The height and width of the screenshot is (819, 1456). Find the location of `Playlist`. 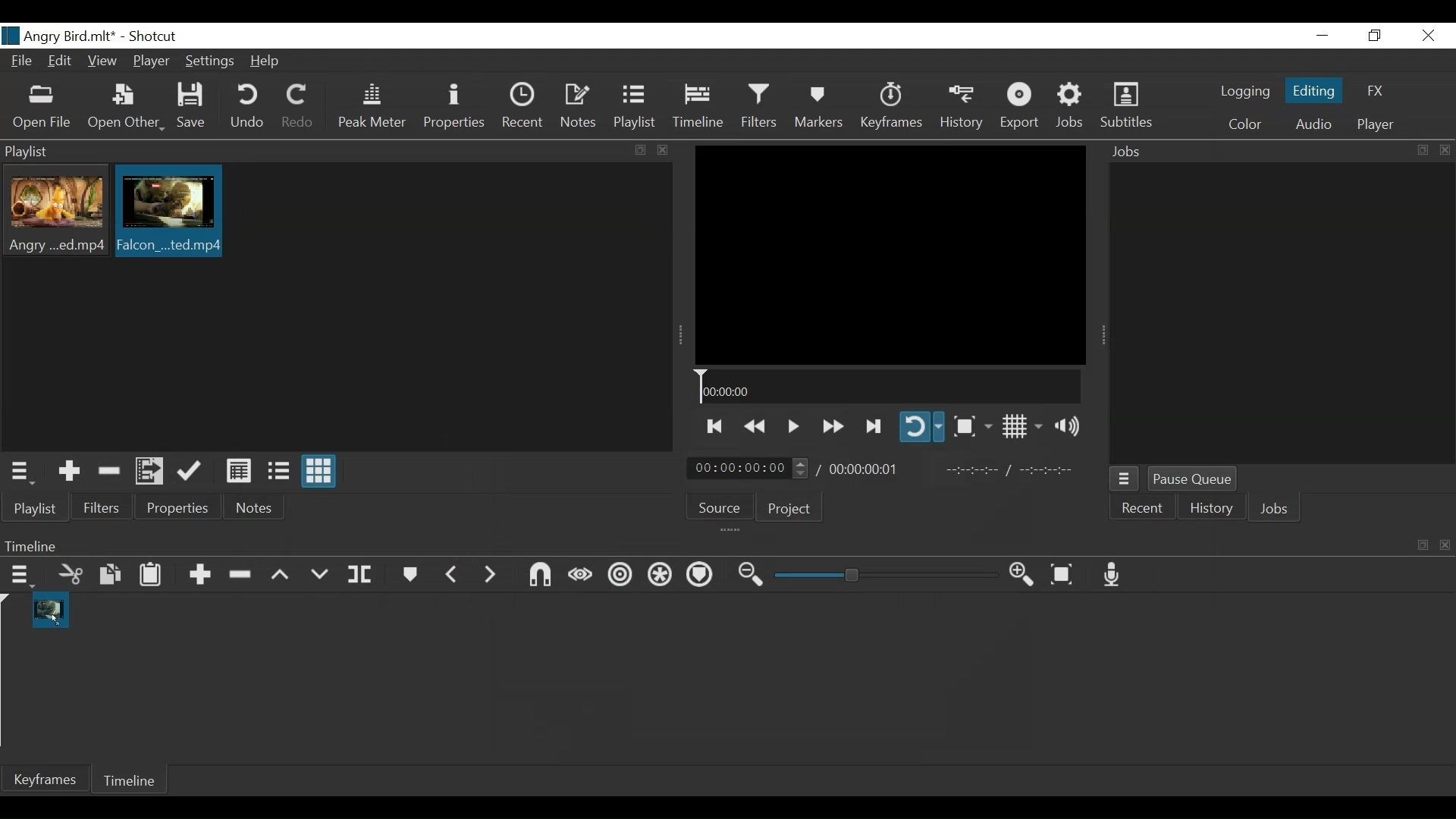

Playlist is located at coordinates (36, 508).